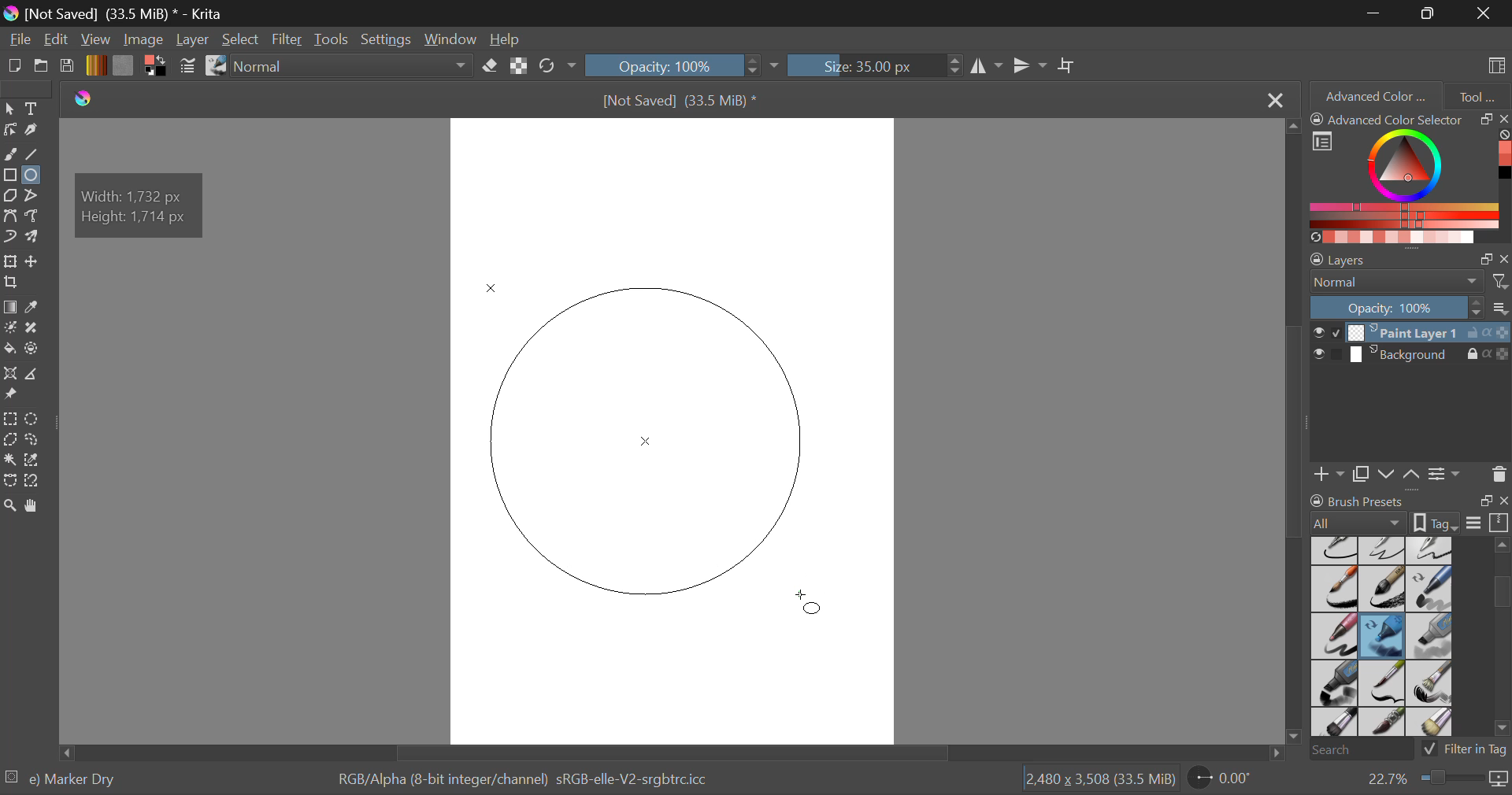 This screenshot has width=1512, height=795. Describe the element at coordinates (455, 40) in the screenshot. I see `Window` at that location.